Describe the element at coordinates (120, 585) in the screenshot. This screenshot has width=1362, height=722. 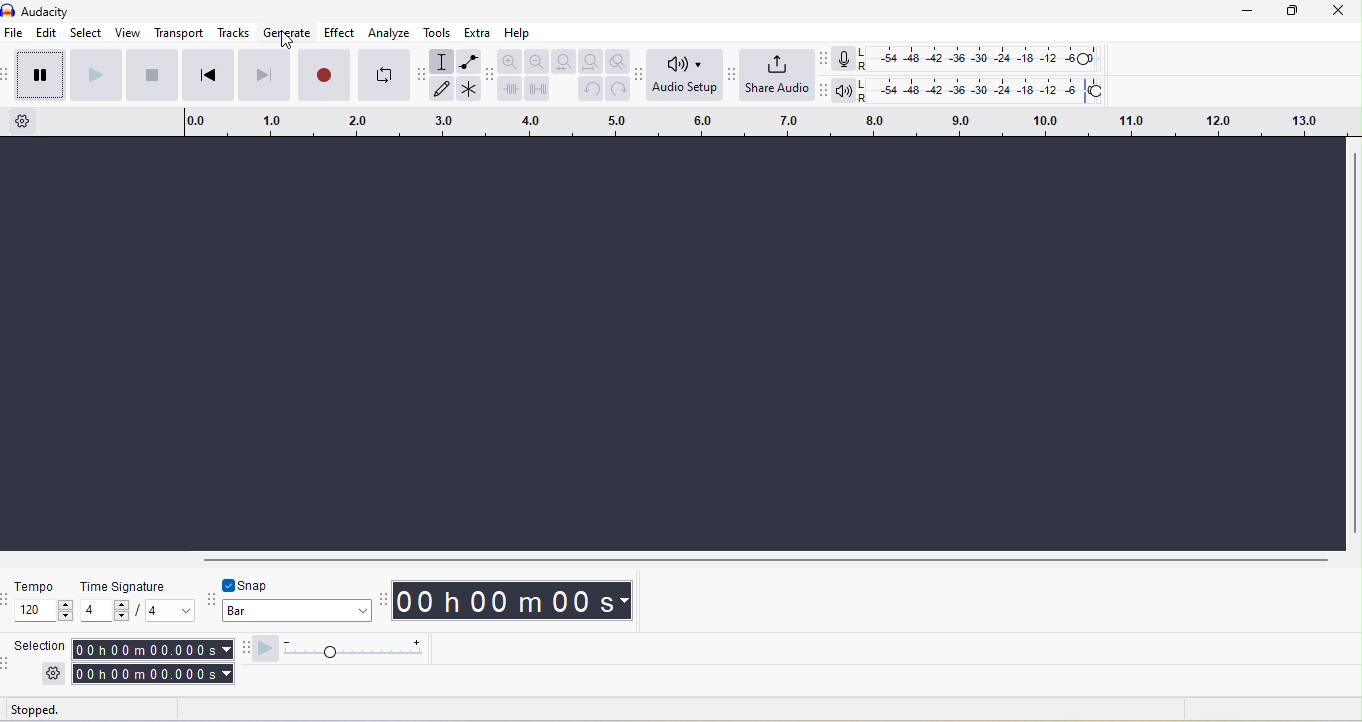
I see `time signature` at that location.